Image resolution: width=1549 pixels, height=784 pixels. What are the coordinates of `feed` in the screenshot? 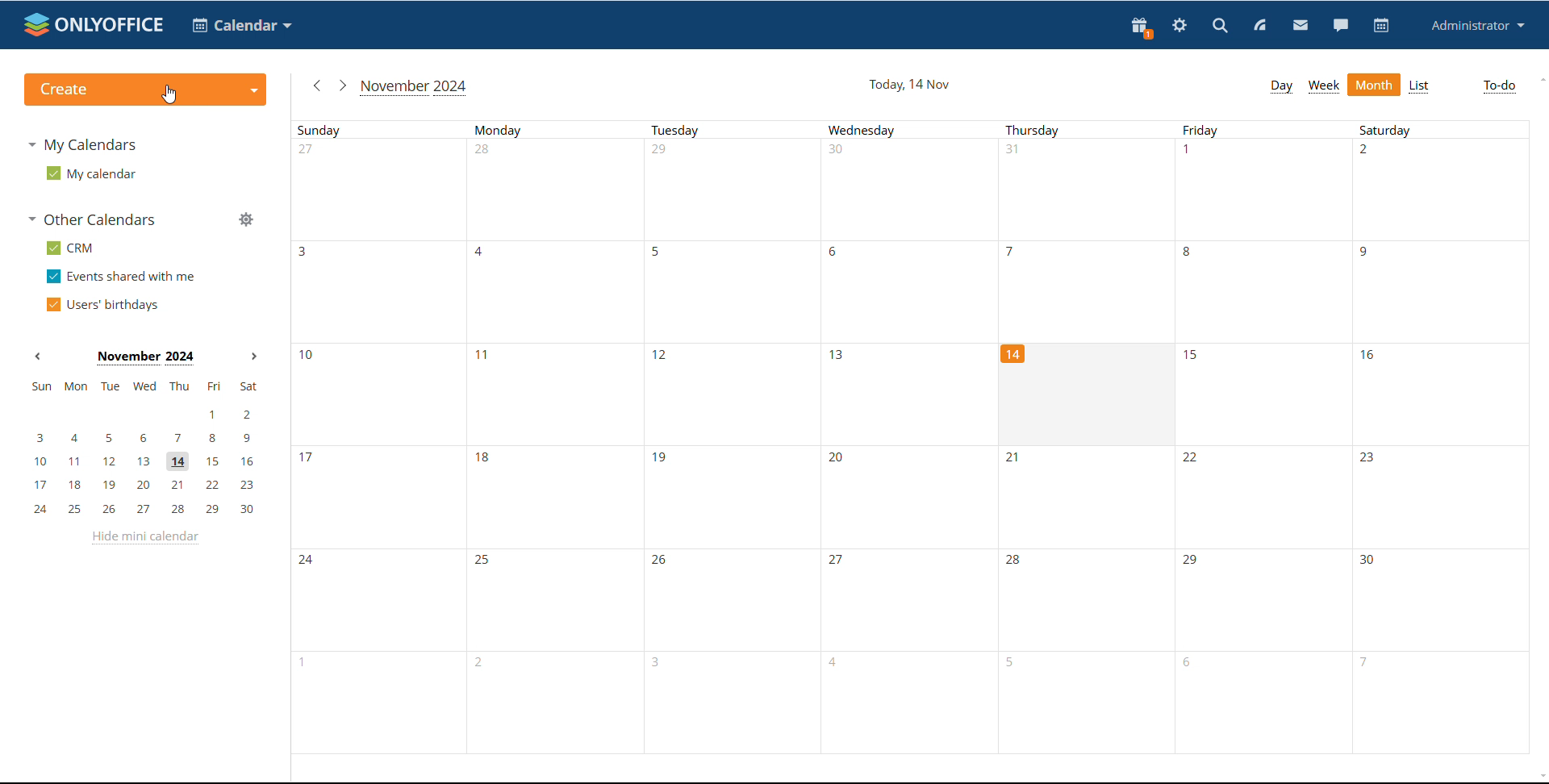 It's located at (1259, 25).